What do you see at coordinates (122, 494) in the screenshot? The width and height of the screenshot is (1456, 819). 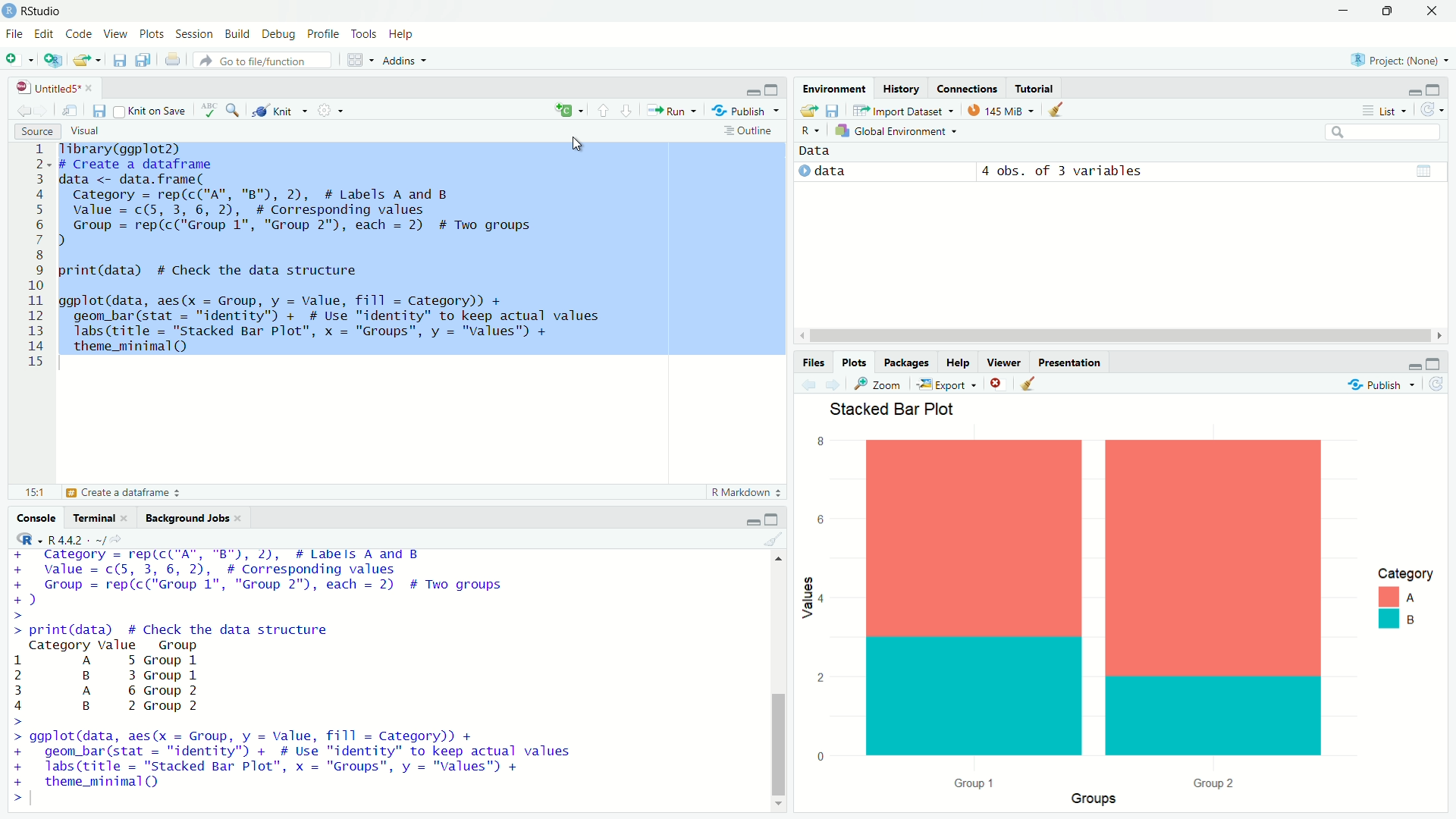 I see `Create a dataframe` at bounding box center [122, 494].